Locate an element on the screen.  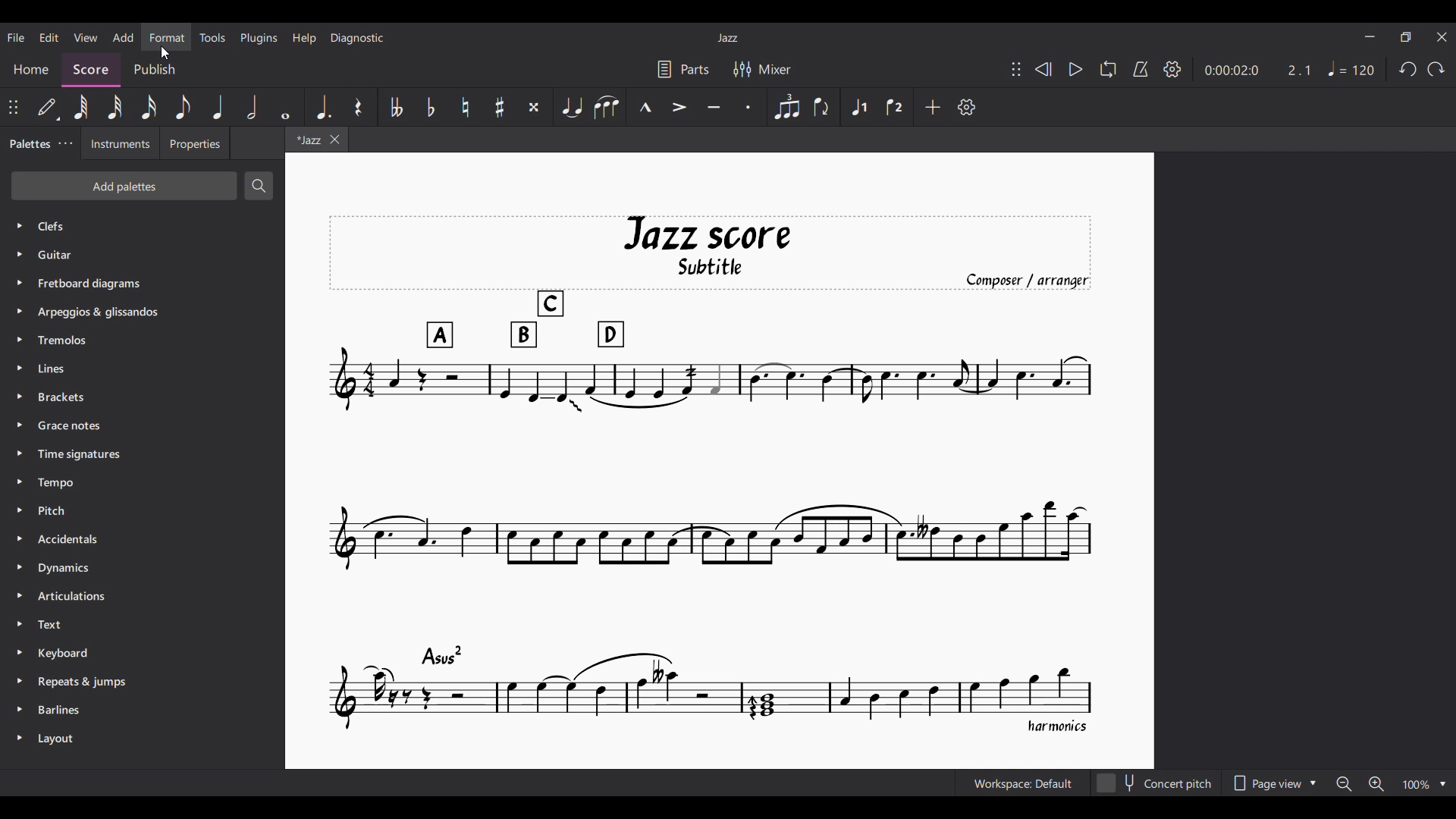
Search is located at coordinates (258, 186).